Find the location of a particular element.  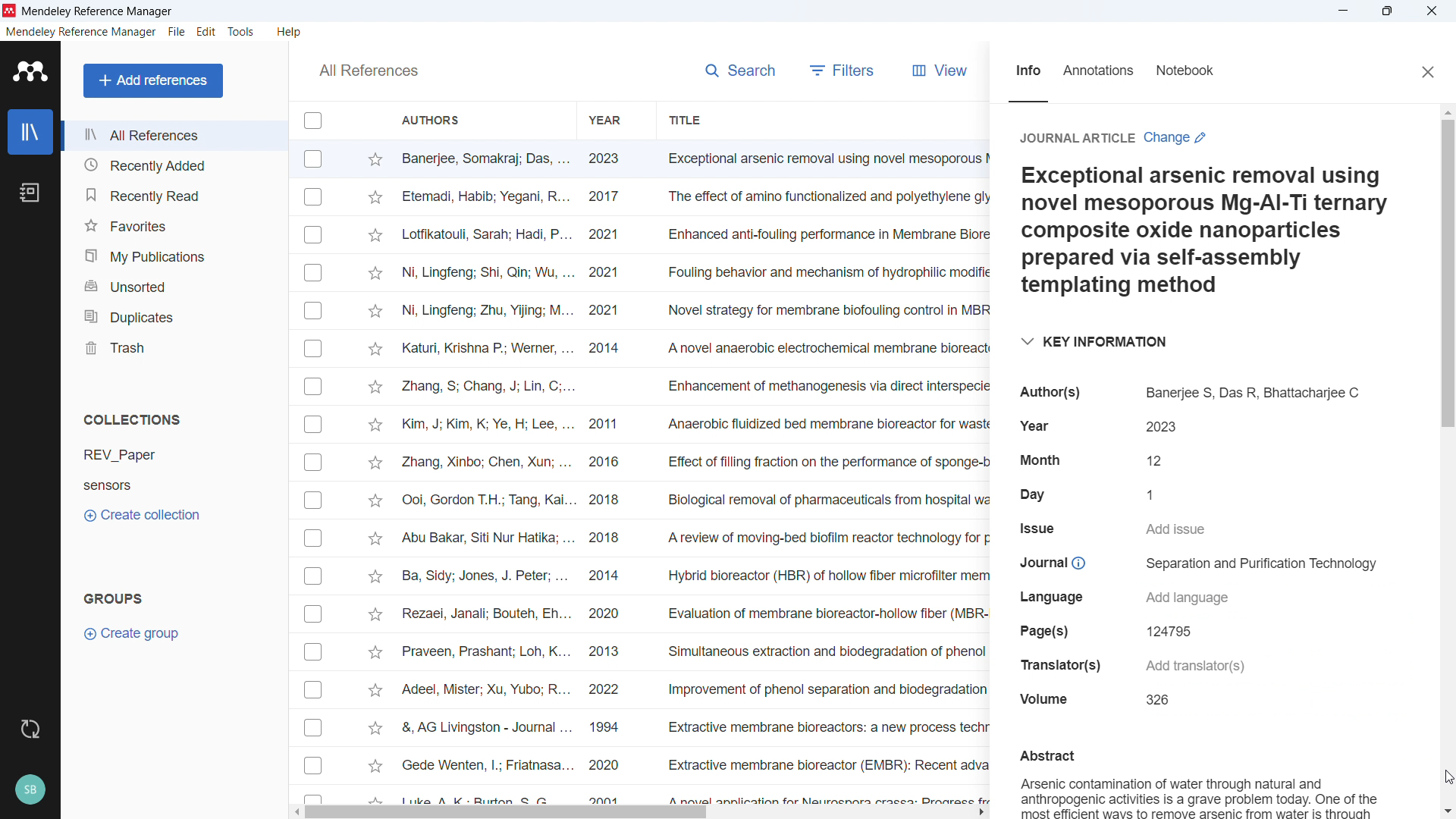

click to select individual entry is located at coordinates (315, 692).